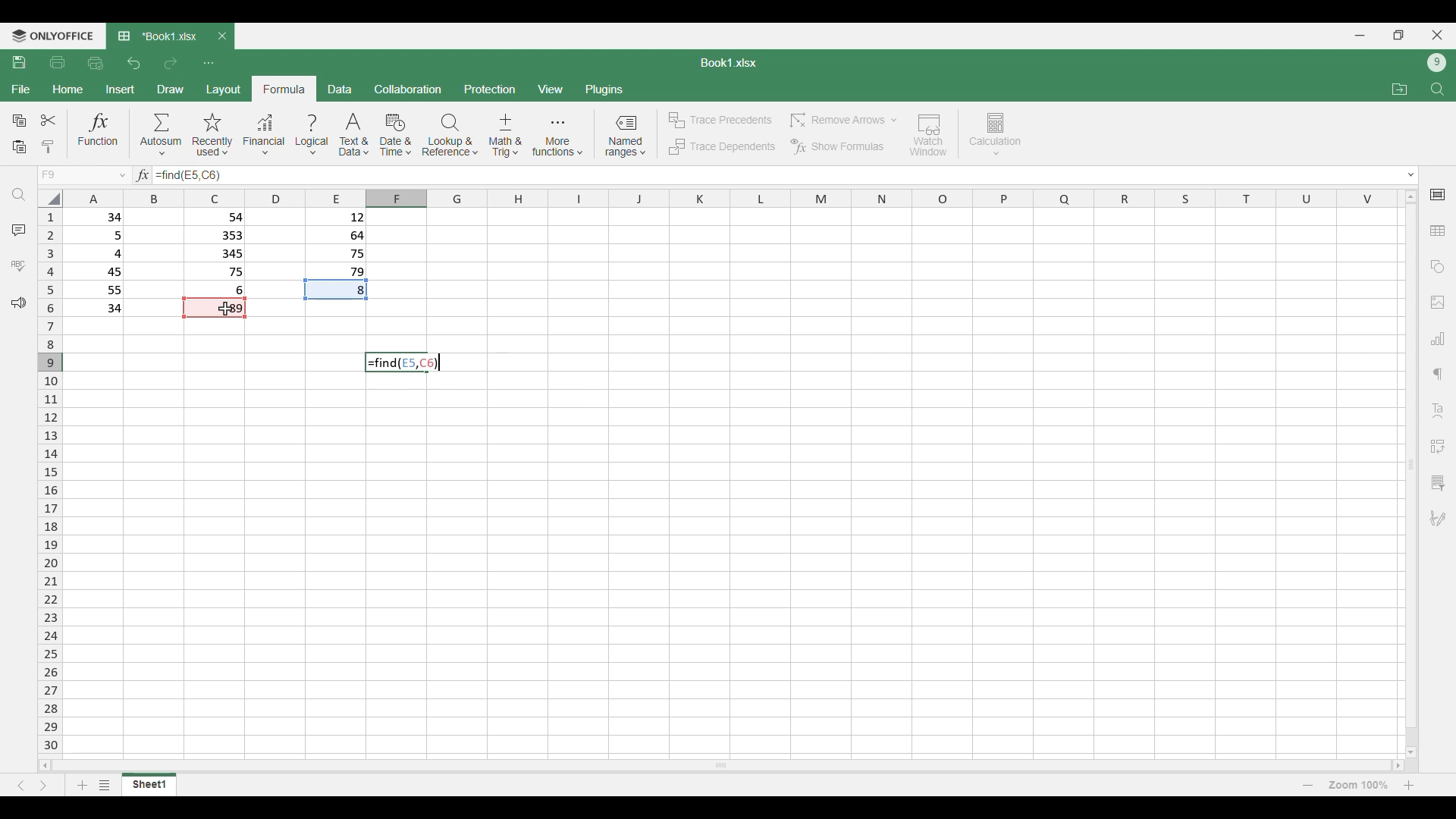  What do you see at coordinates (170, 64) in the screenshot?
I see `Redo` at bounding box center [170, 64].